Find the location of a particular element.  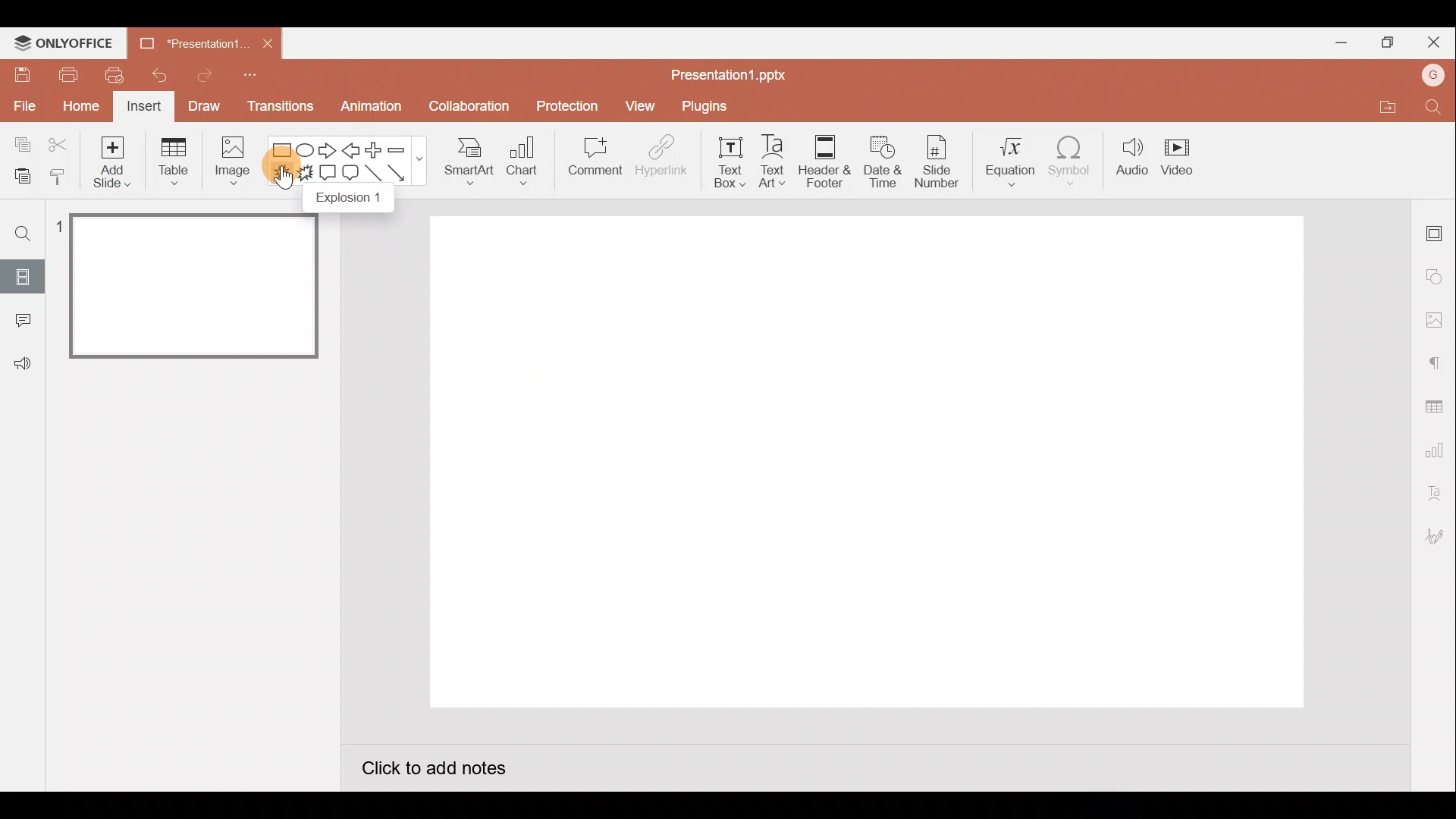

Symbol is located at coordinates (1072, 162).